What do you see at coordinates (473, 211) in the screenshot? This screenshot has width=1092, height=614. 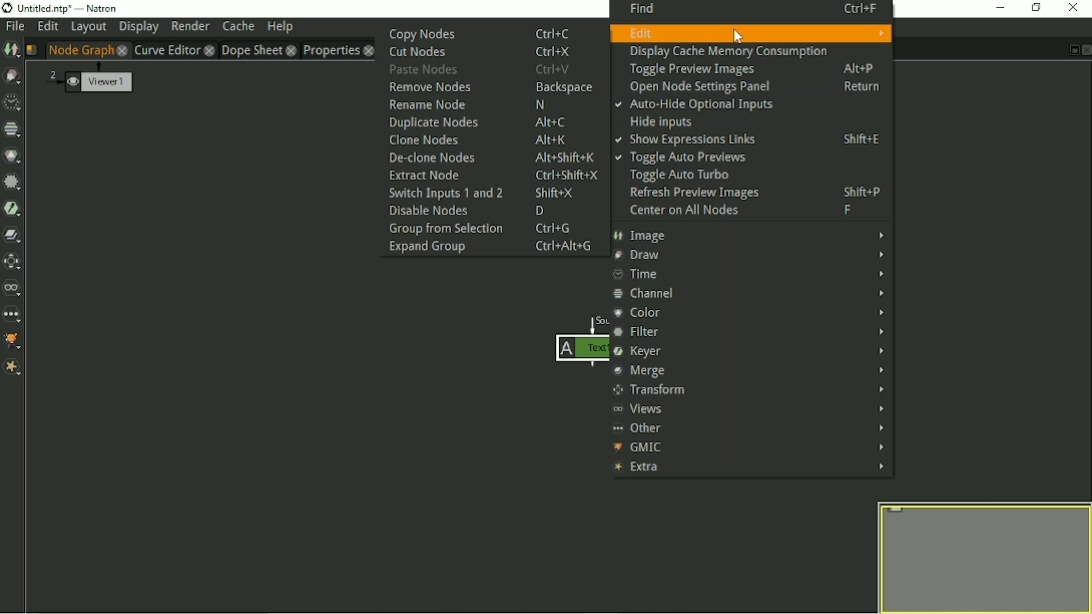 I see `Disable Nodes` at bounding box center [473, 211].